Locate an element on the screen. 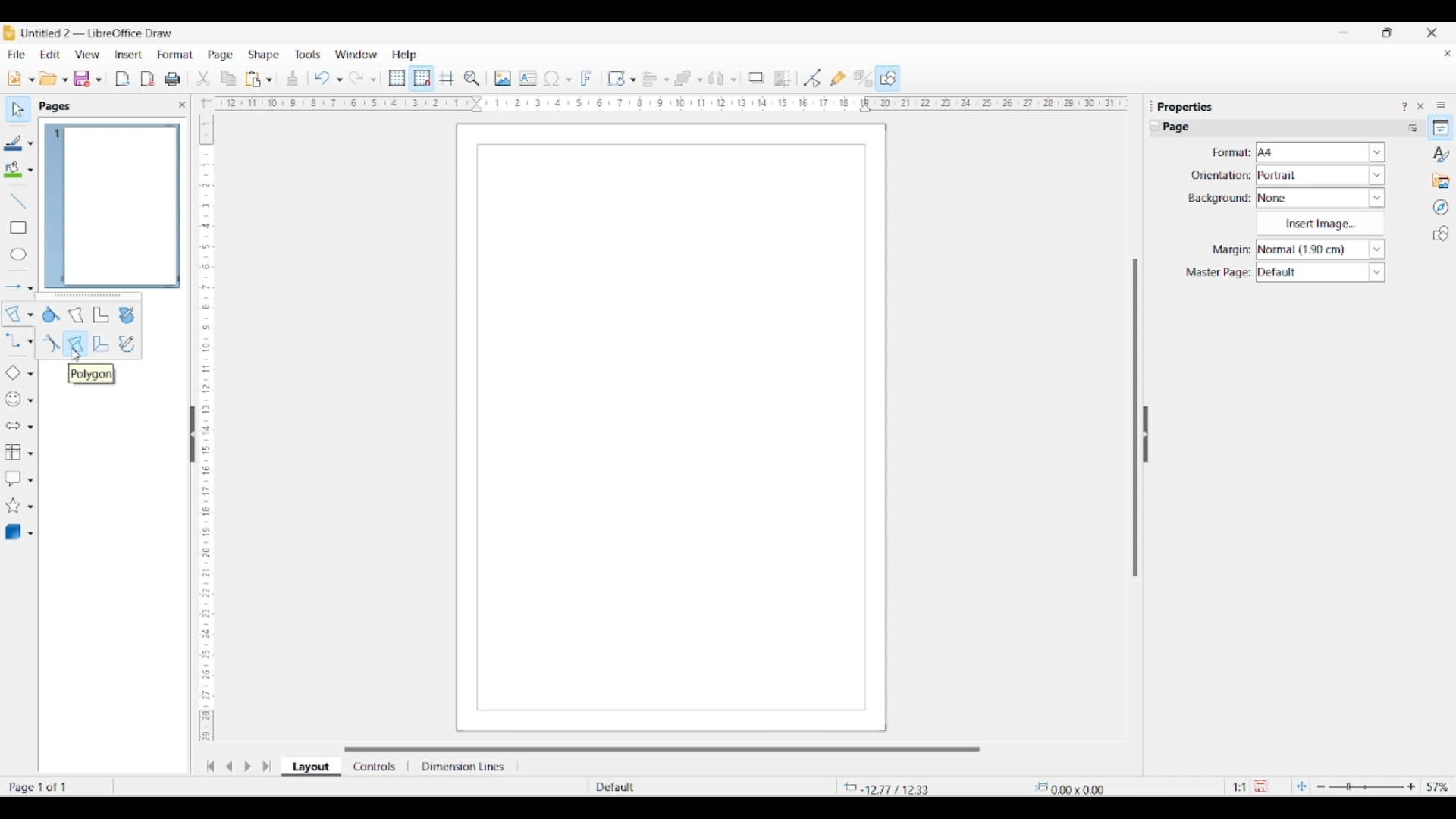 Image resolution: width=1456 pixels, height=819 pixels. Special character options is located at coordinates (569, 80).